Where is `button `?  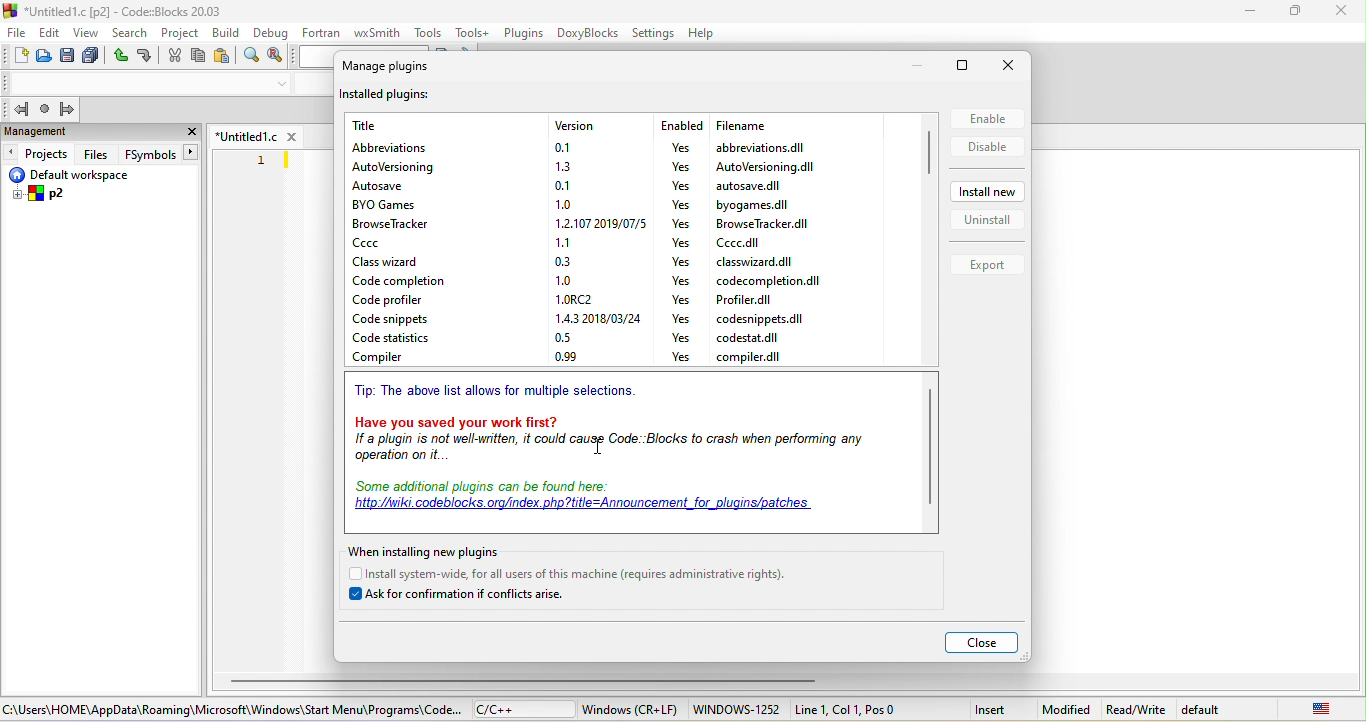 button  is located at coordinates (192, 152).